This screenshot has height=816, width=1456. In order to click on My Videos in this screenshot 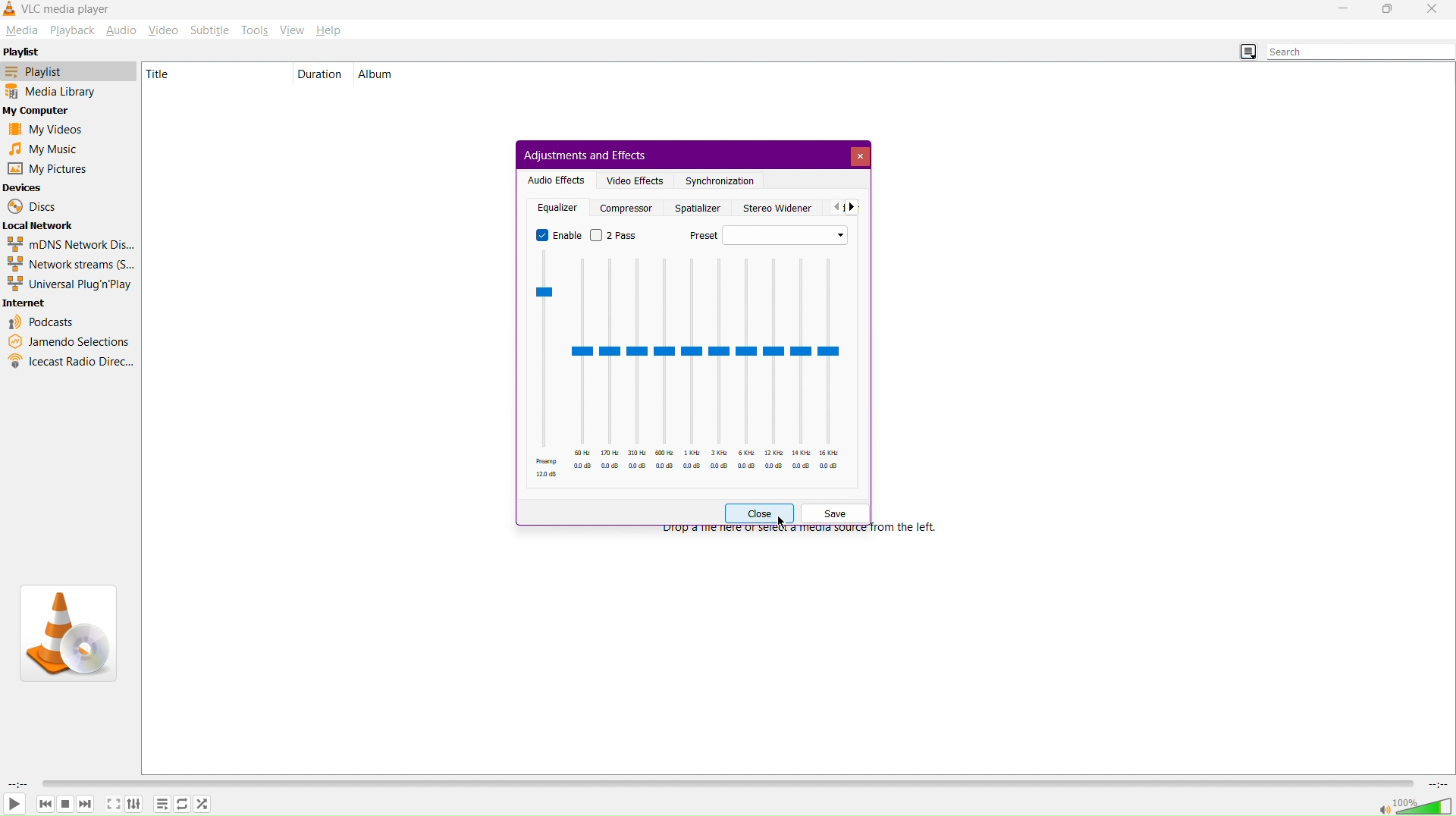, I will do `click(49, 130)`.